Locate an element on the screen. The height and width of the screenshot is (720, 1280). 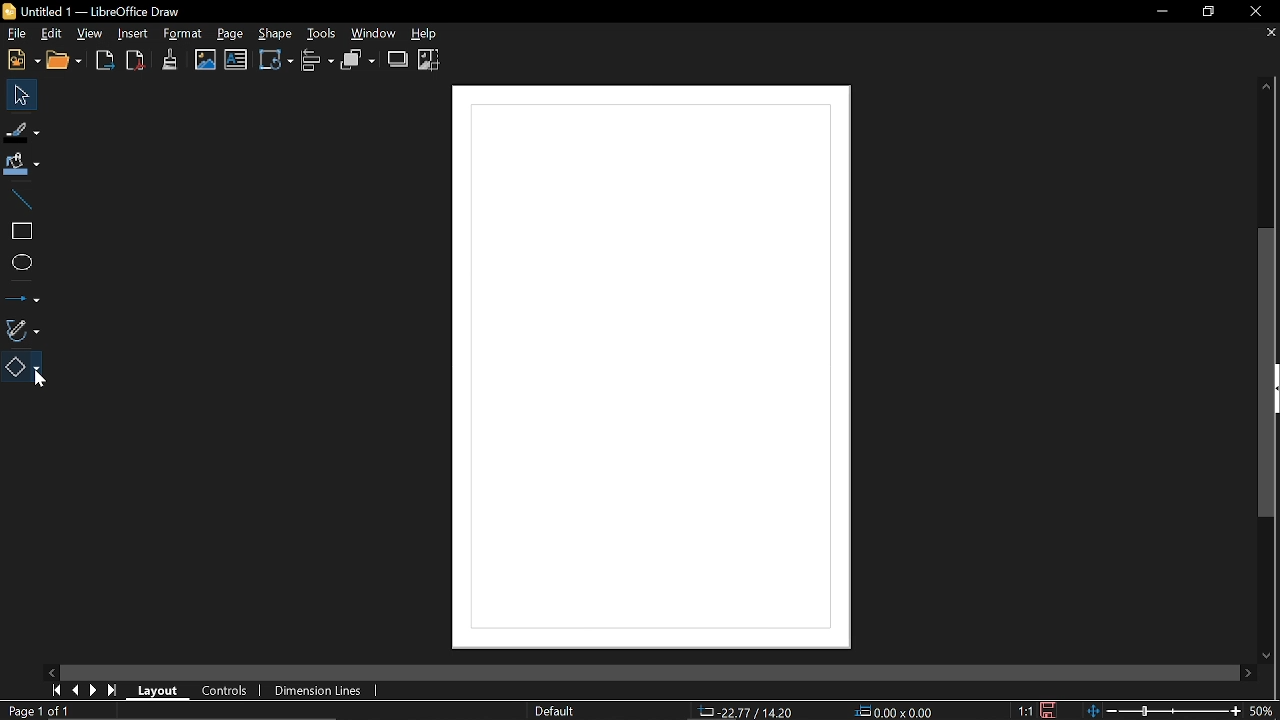
Canvas is located at coordinates (651, 369).